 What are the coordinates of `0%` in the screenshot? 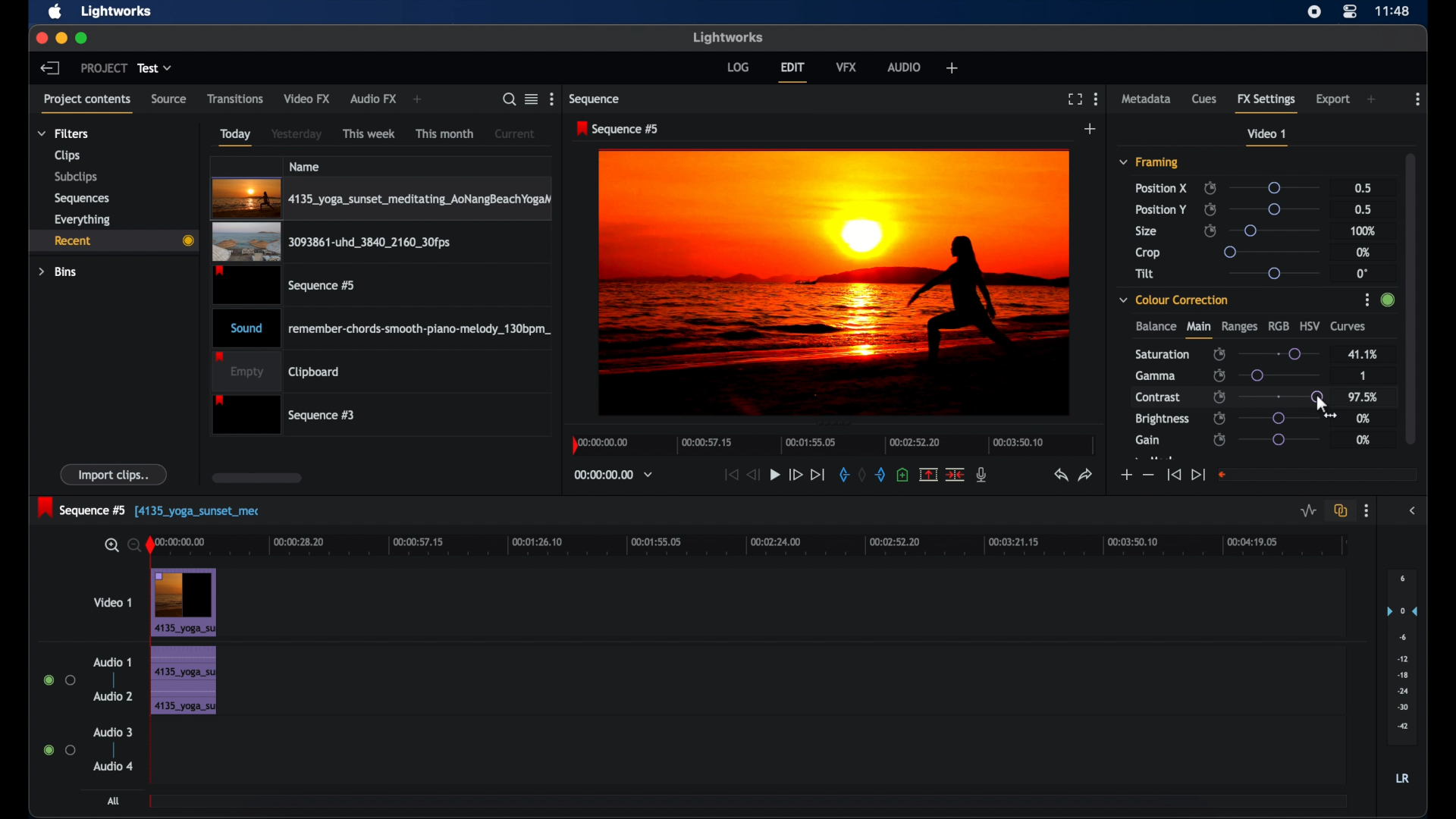 It's located at (1364, 419).